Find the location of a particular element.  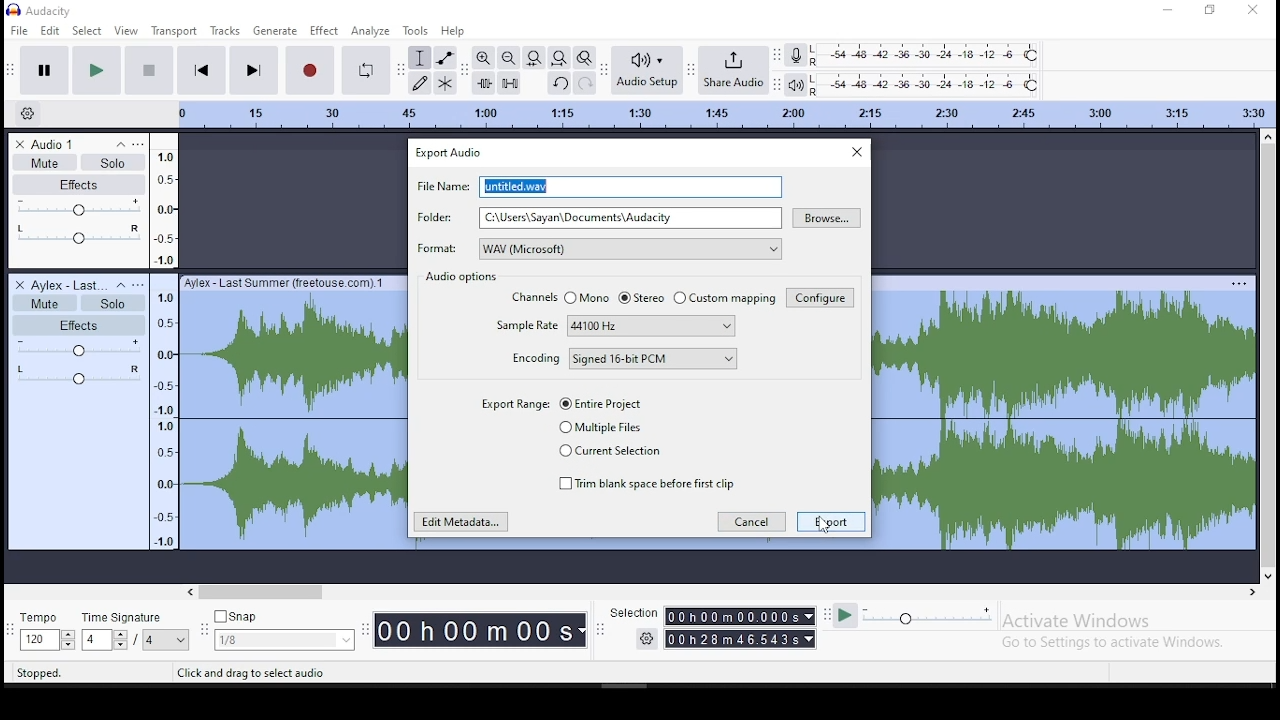

export is located at coordinates (831, 523).